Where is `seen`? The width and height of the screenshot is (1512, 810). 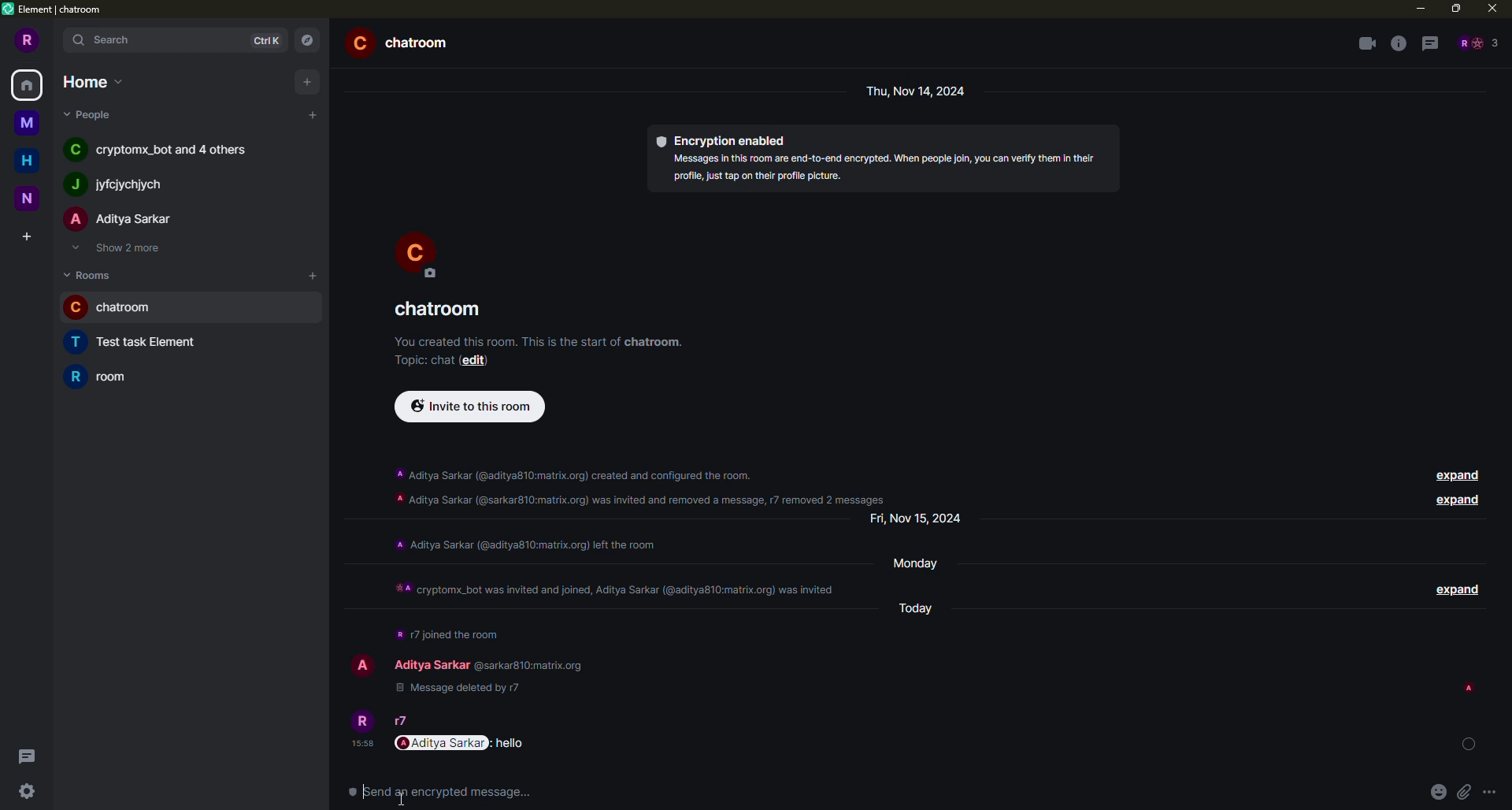
seen is located at coordinates (1471, 688).